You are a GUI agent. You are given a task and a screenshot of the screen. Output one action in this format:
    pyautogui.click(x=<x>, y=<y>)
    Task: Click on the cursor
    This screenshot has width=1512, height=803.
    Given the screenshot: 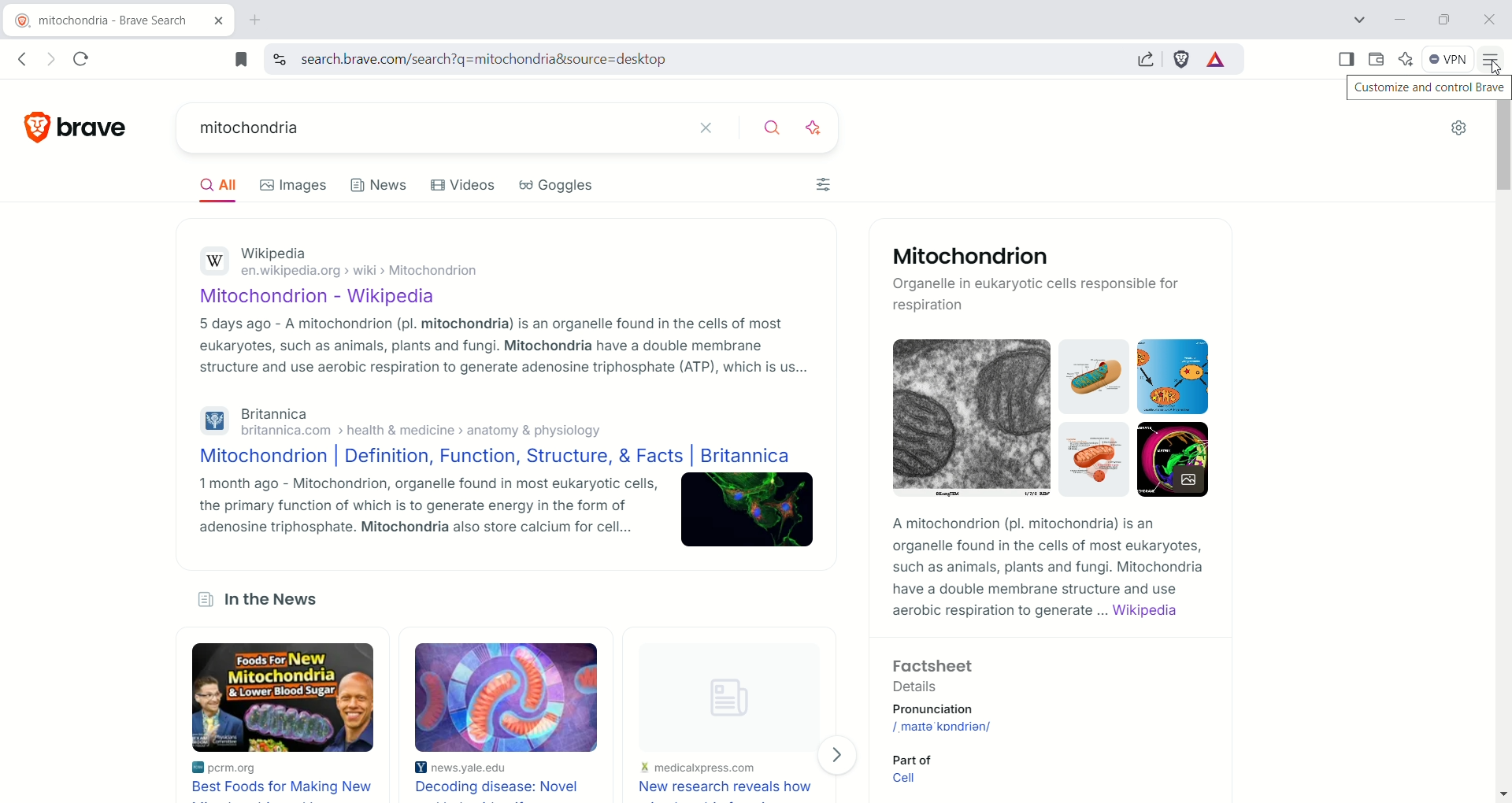 What is the action you would take?
    pyautogui.click(x=1496, y=65)
    